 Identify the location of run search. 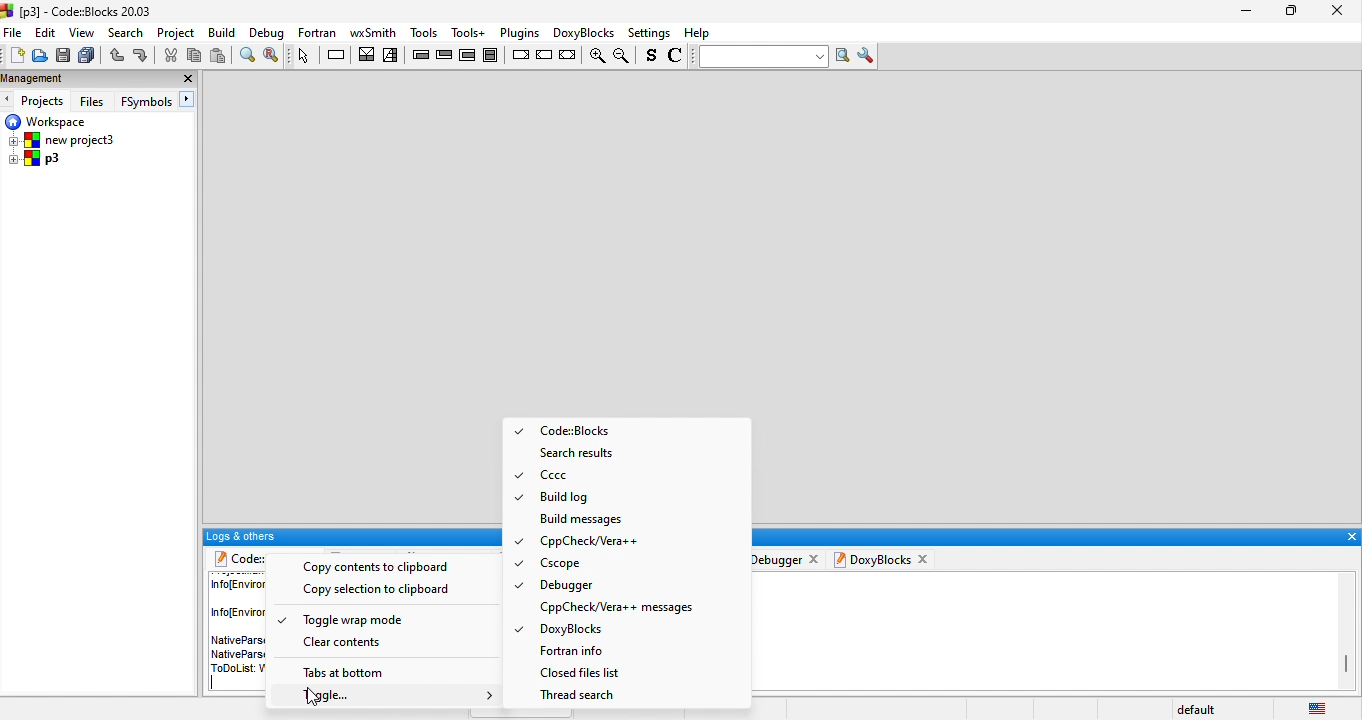
(844, 56).